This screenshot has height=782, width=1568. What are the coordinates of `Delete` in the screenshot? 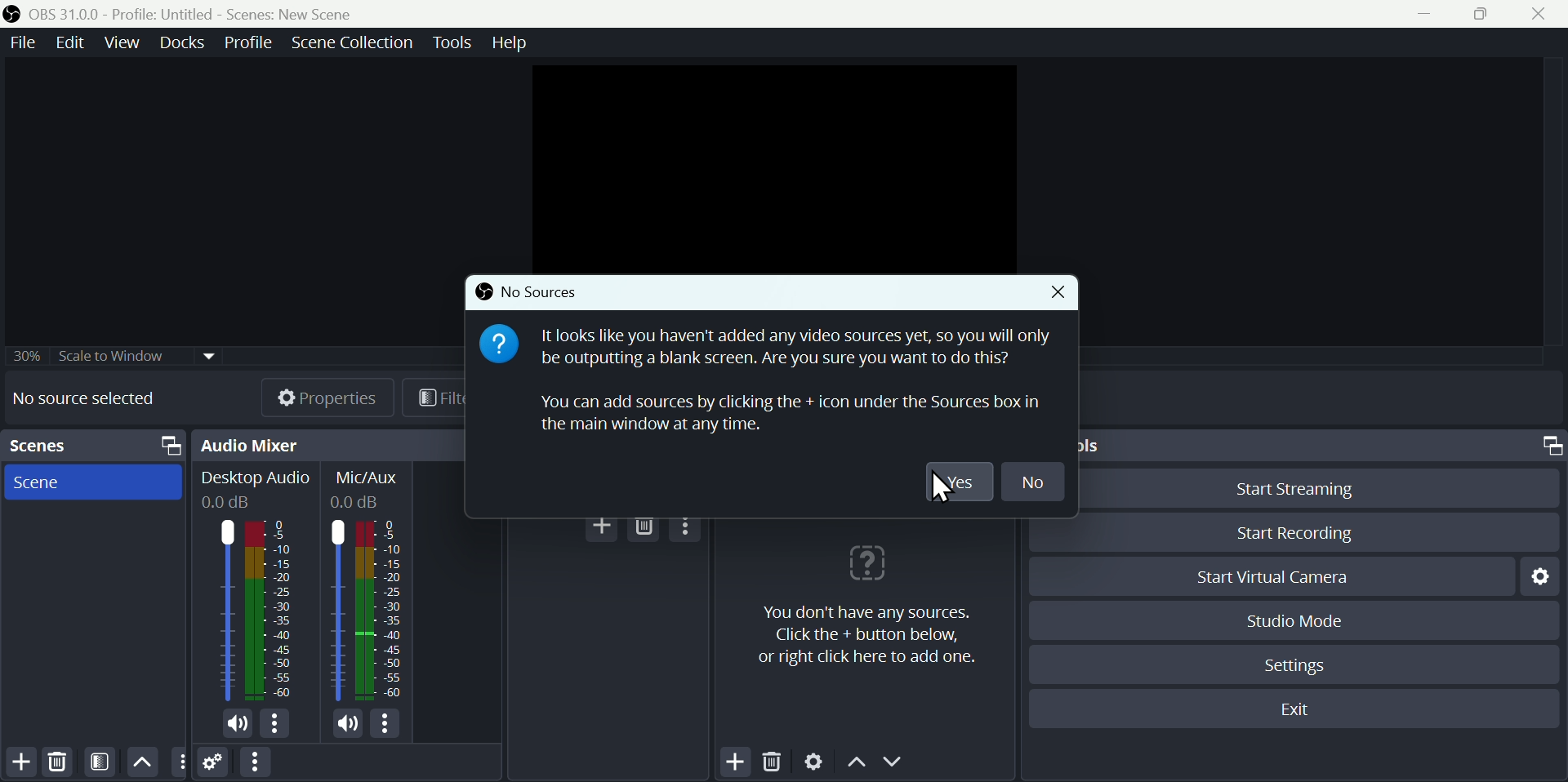 It's located at (61, 761).